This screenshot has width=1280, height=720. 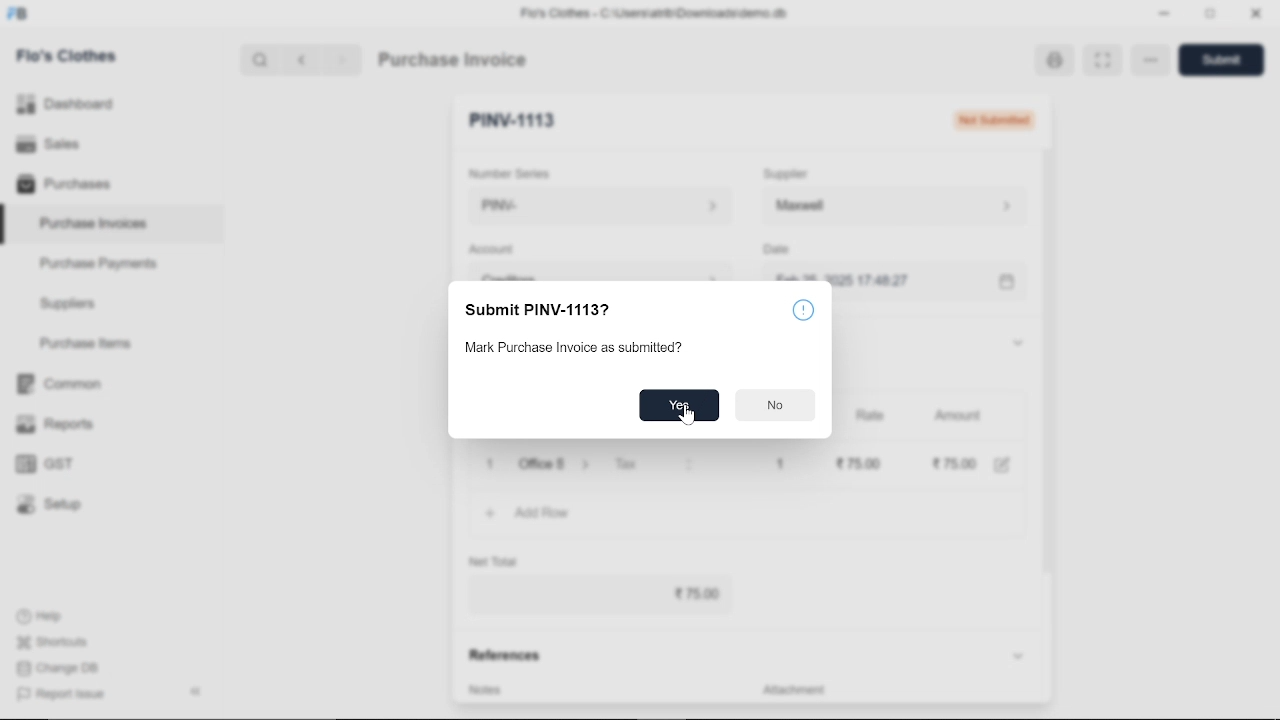 I want to click on cursor, so click(x=689, y=416).